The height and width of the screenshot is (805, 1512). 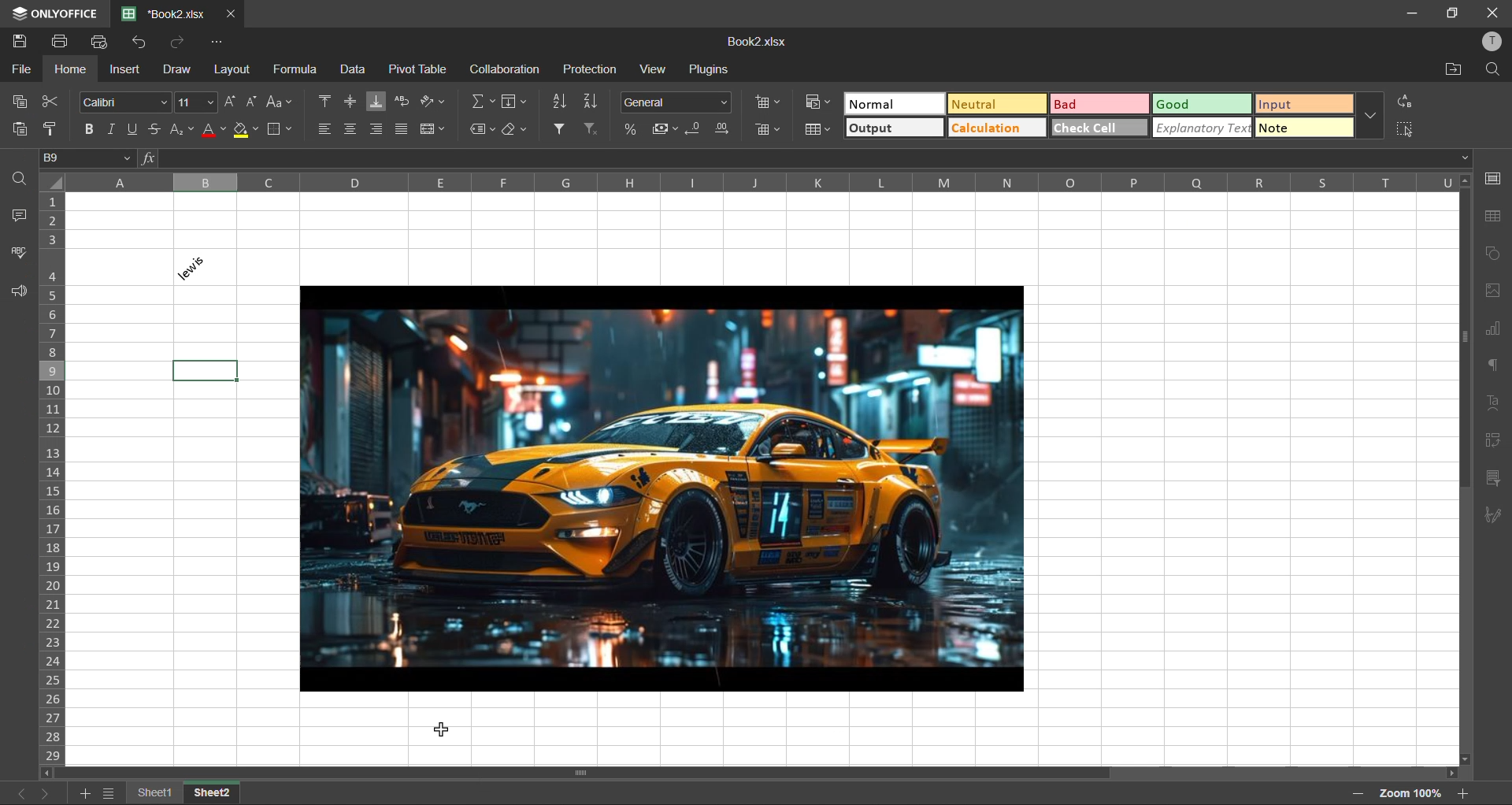 What do you see at coordinates (631, 130) in the screenshot?
I see `percent` at bounding box center [631, 130].